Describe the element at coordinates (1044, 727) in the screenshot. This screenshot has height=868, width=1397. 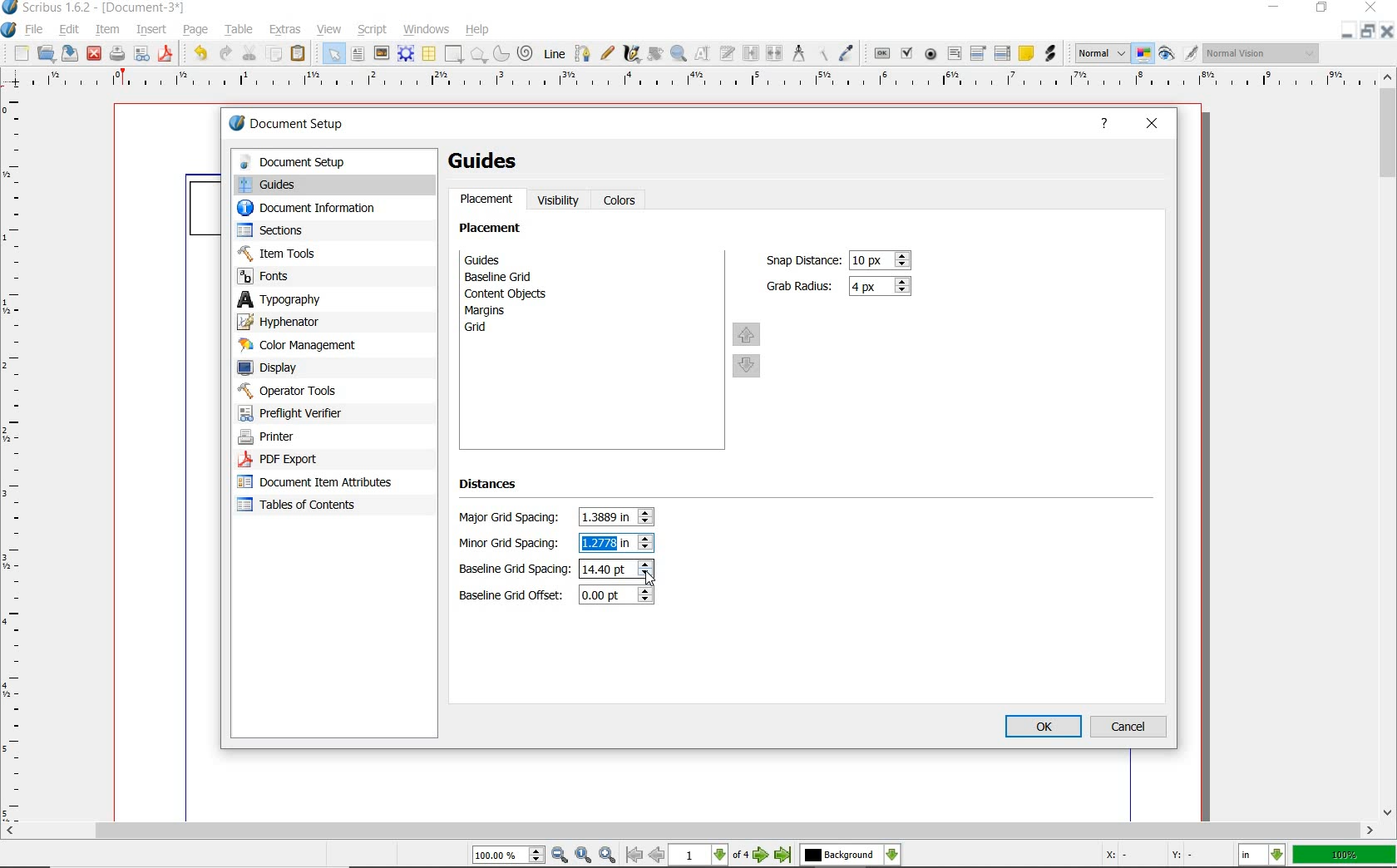
I see `ok` at that location.